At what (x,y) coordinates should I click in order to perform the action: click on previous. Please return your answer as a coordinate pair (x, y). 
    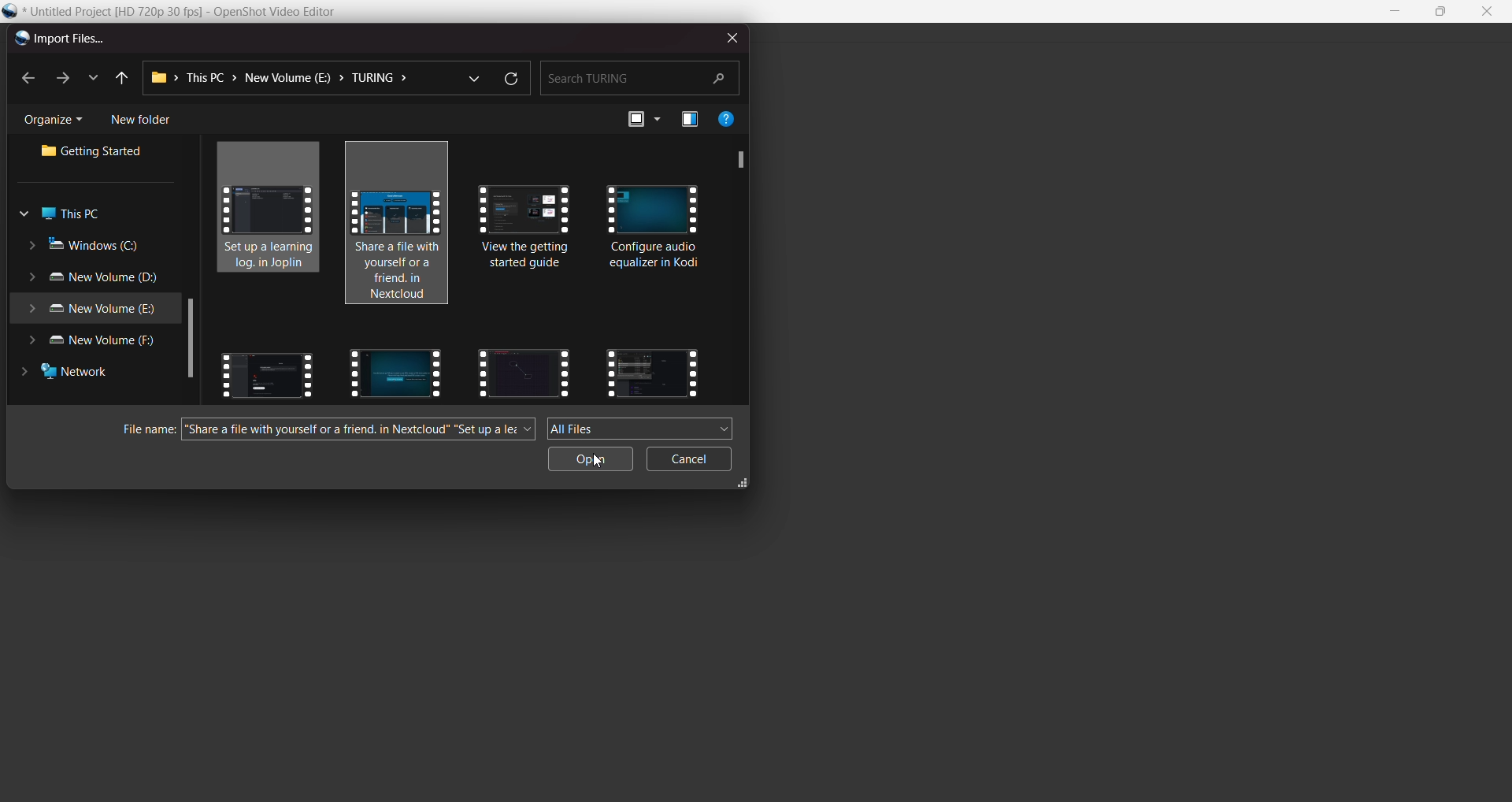
    Looking at the image, I should click on (120, 79).